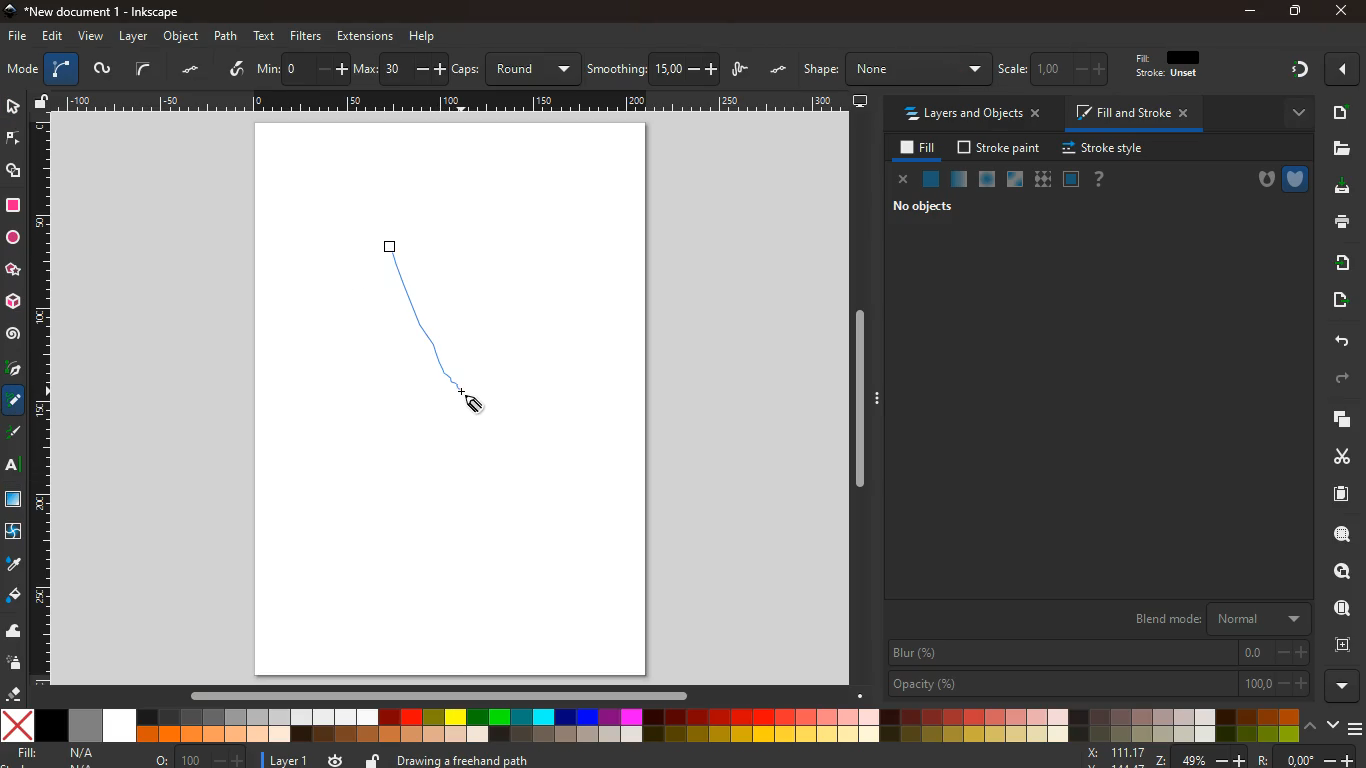 This screenshot has height=768, width=1366. I want to click on print, so click(1338, 221).